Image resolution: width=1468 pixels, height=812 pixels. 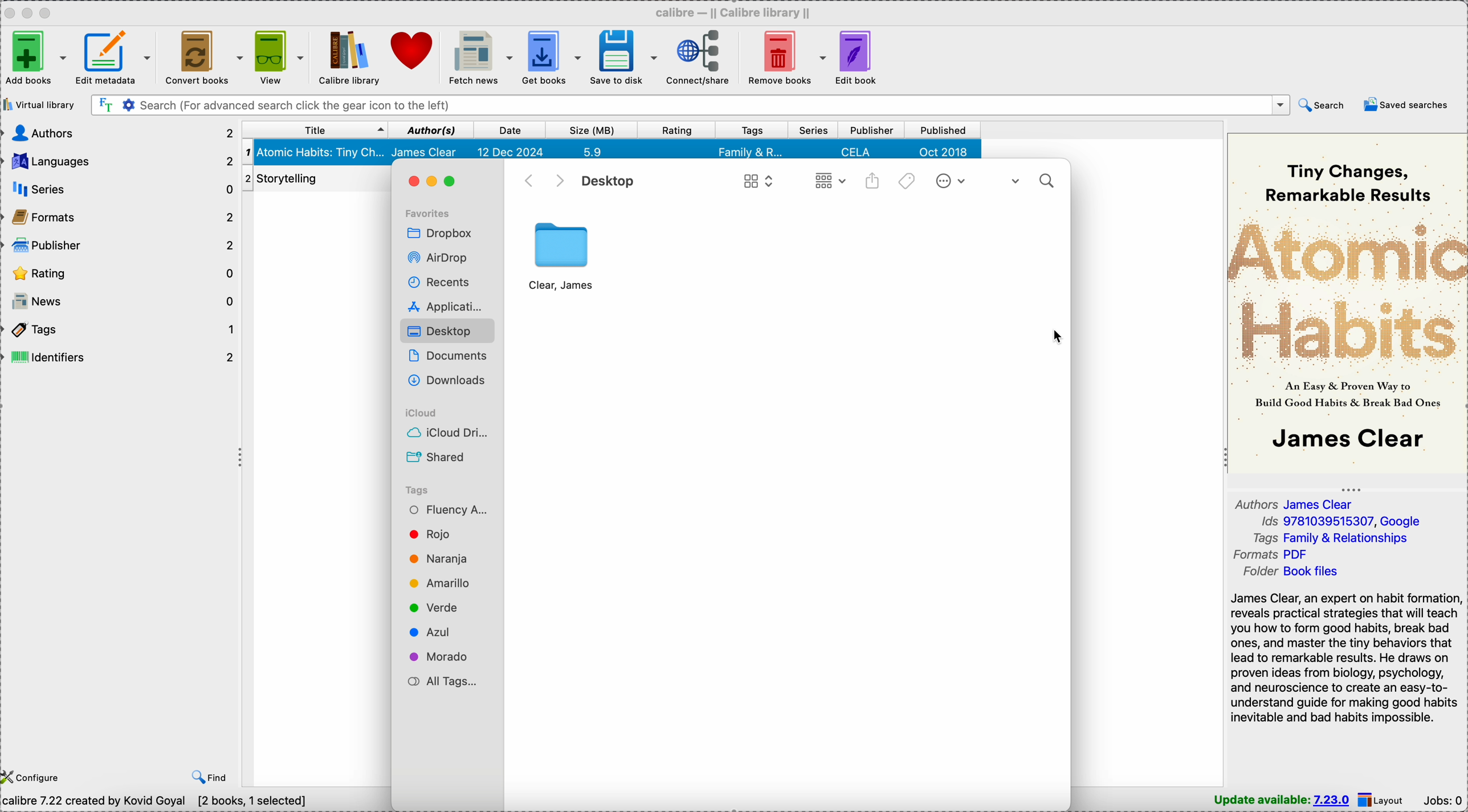 I want to click on layout, so click(x=1381, y=800).